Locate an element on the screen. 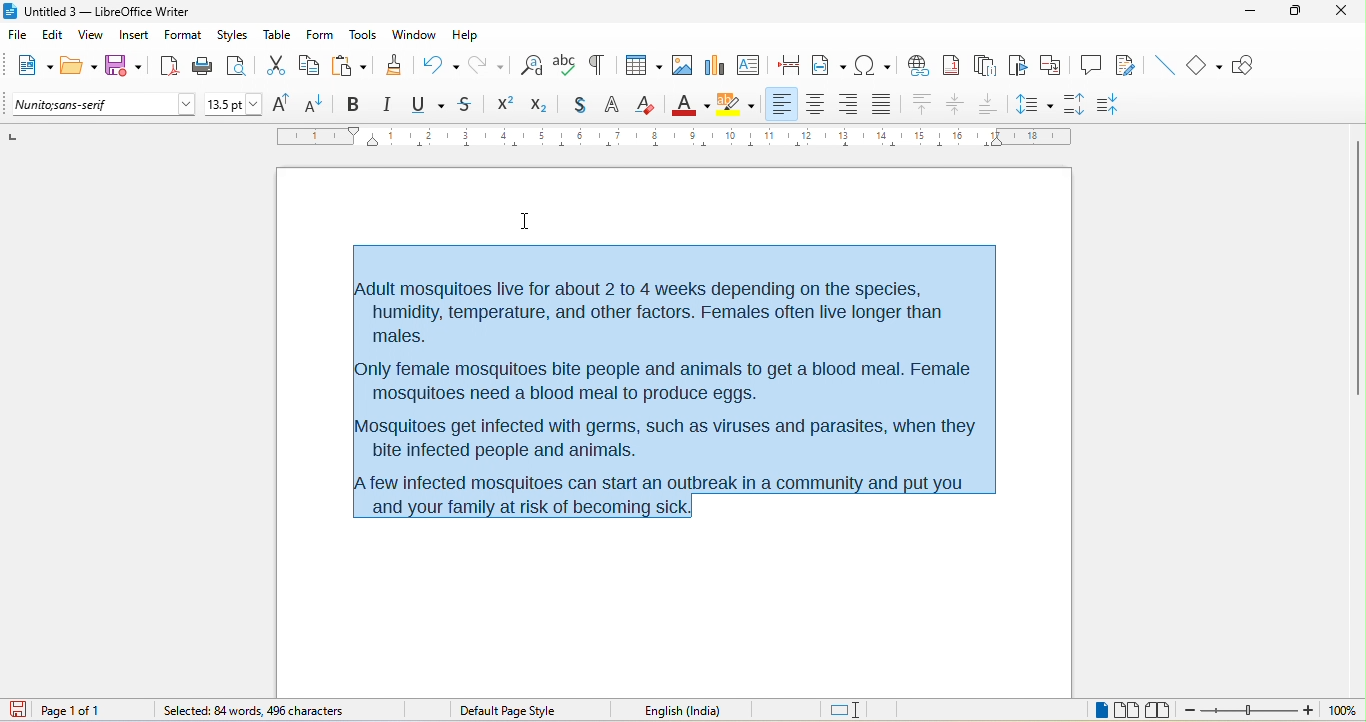 This screenshot has height=722, width=1366. page break is located at coordinates (784, 63).